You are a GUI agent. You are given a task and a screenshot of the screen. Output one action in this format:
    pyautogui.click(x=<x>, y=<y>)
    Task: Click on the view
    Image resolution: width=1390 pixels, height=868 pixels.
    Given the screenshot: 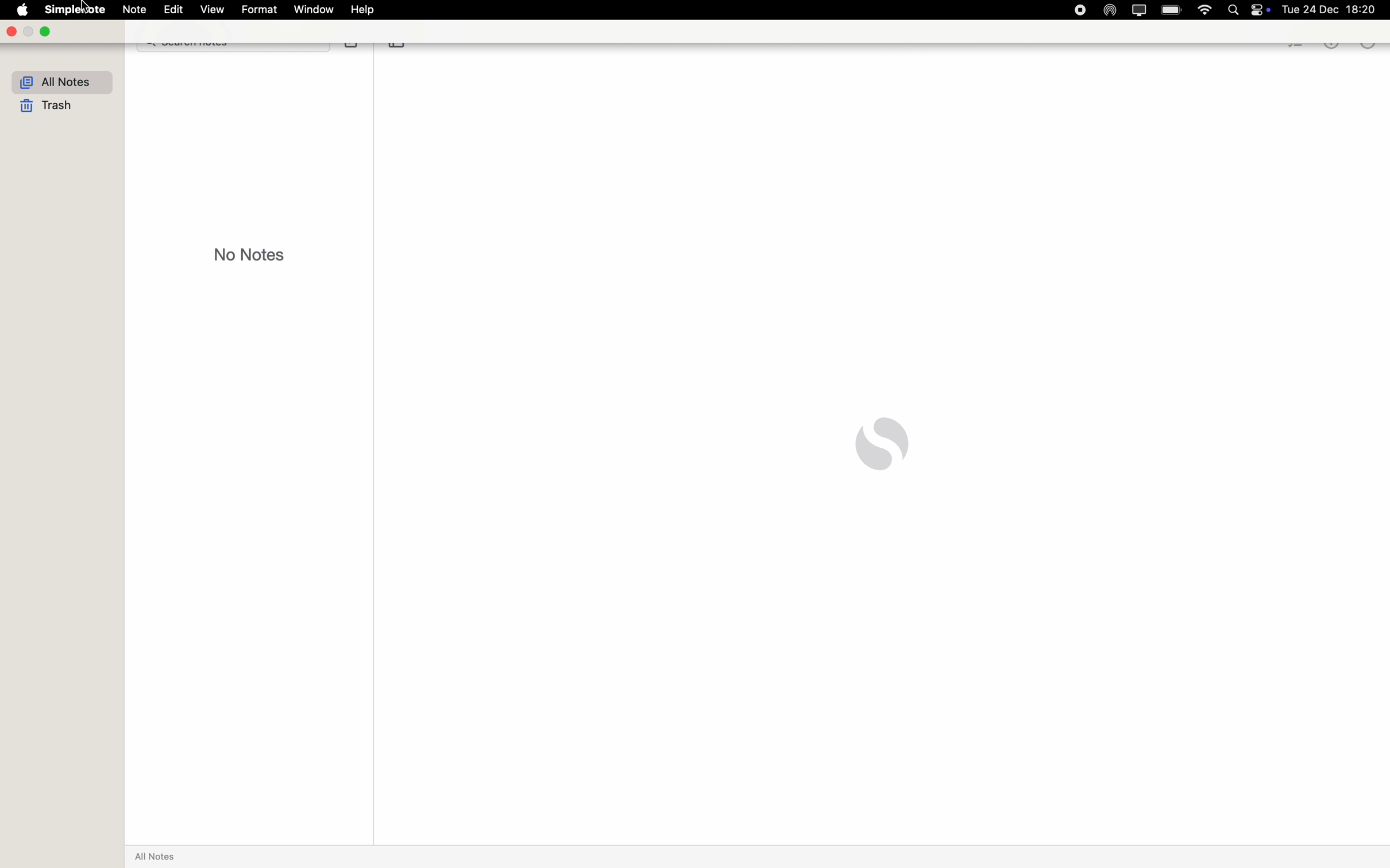 What is the action you would take?
    pyautogui.click(x=213, y=10)
    